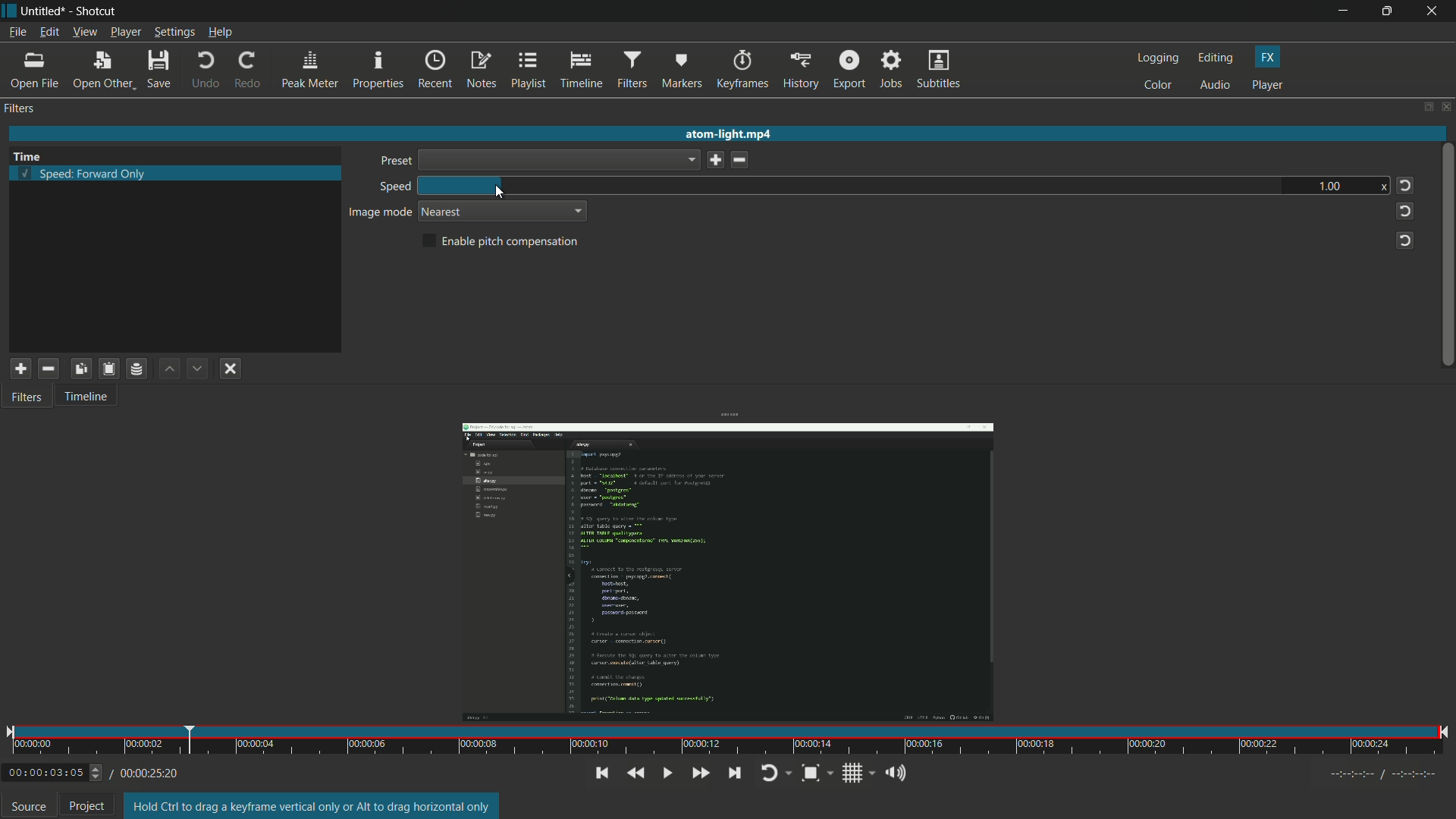 The image size is (1456, 819). I want to click on save, so click(161, 71).